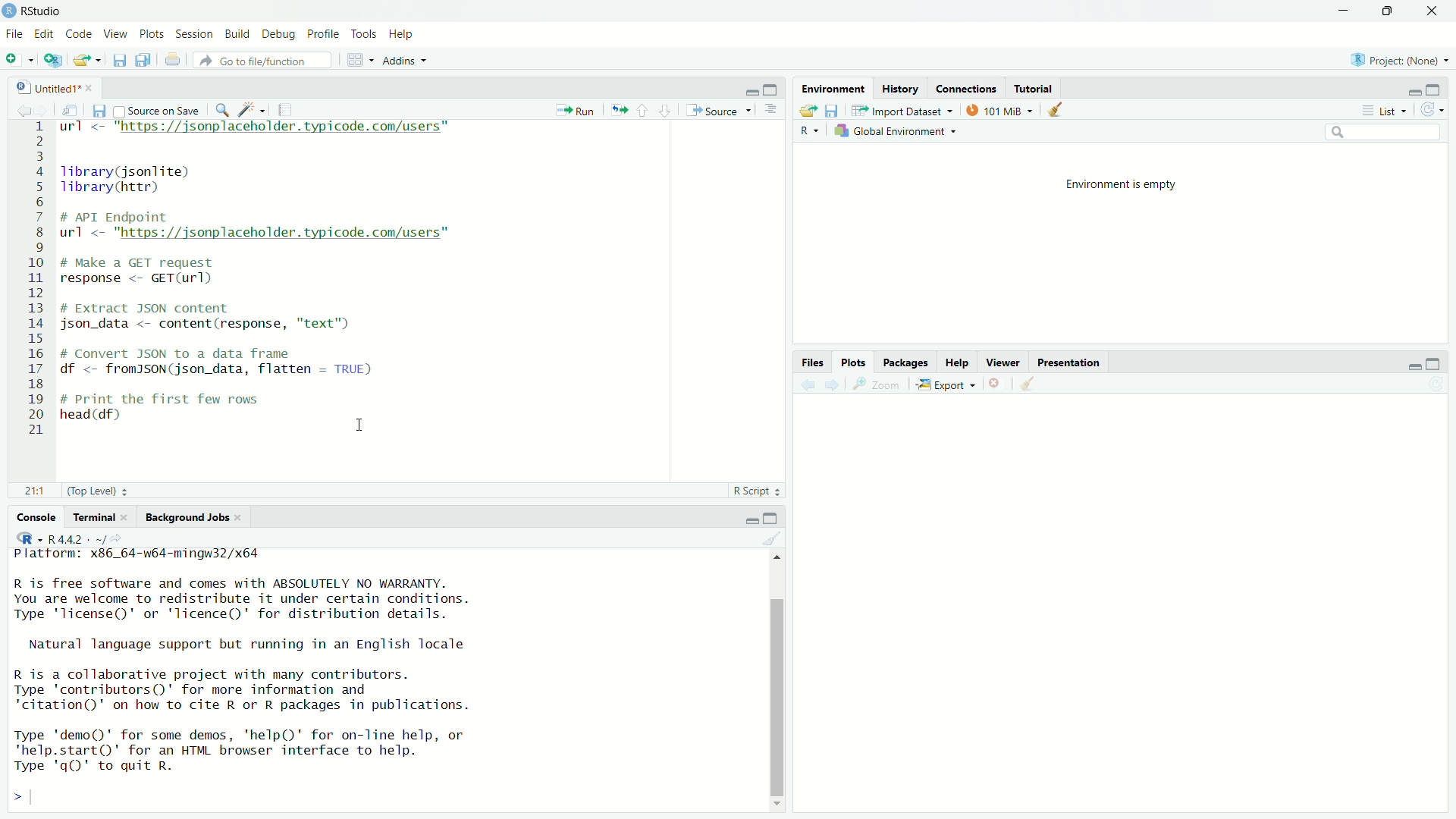 The image size is (1456, 819). What do you see at coordinates (365, 35) in the screenshot?
I see `Tools` at bounding box center [365, 35].